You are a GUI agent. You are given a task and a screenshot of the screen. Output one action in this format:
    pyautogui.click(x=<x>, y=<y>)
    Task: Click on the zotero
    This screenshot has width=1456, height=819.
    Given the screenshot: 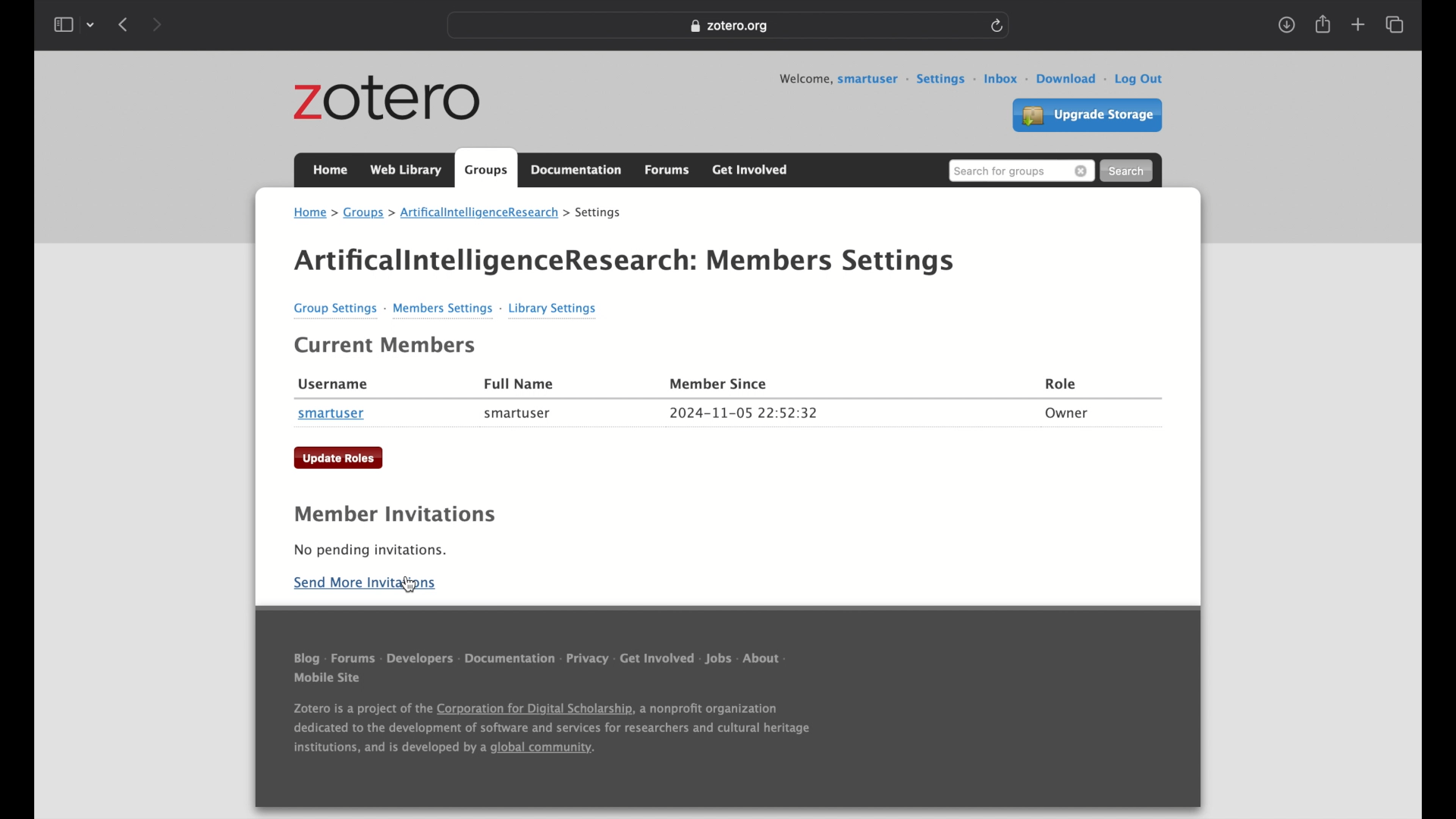 What is the action you would take?
    pyautogui.click(x=387, y=99)
    